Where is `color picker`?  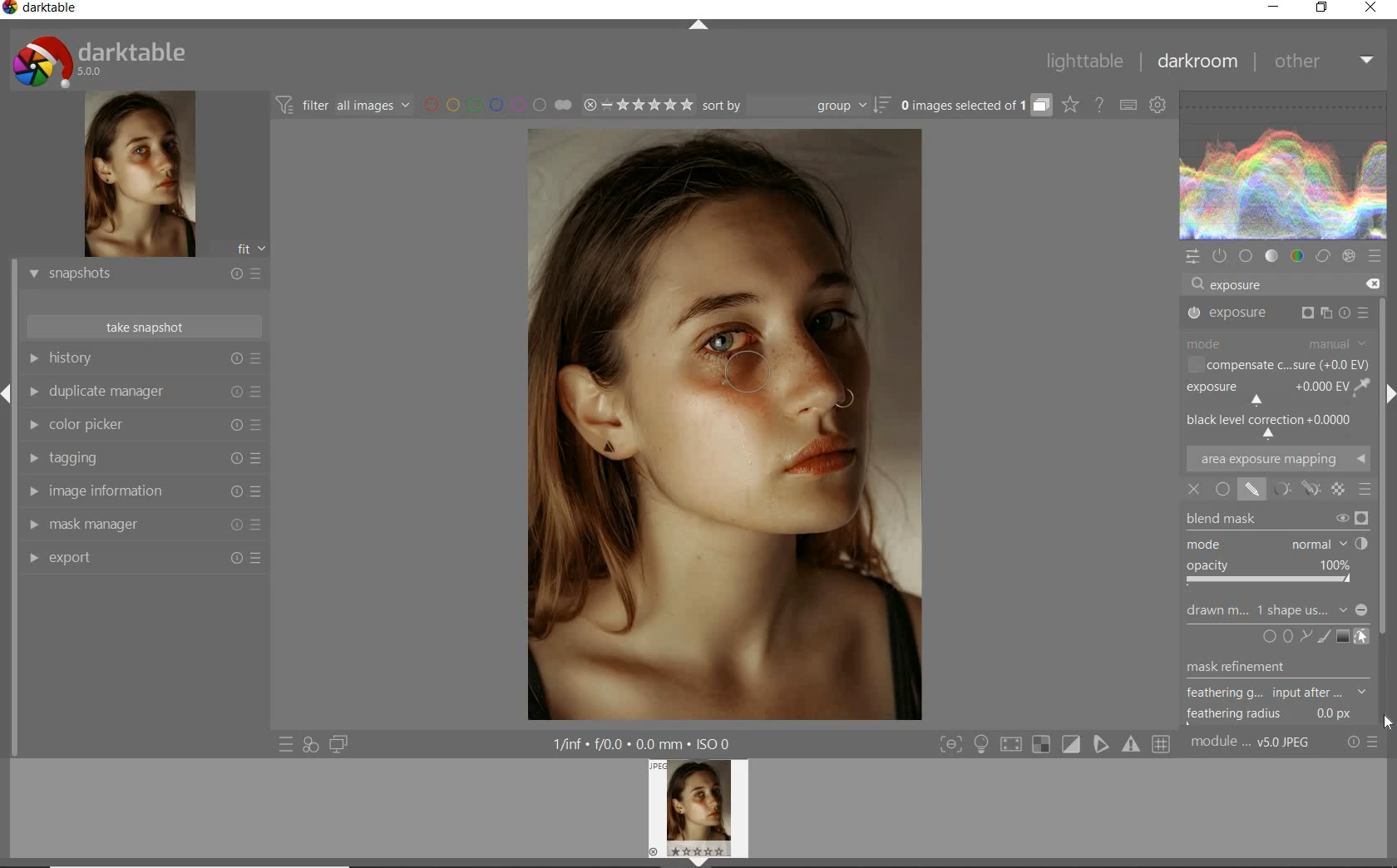 color picker is located at coordinates (143, 426).